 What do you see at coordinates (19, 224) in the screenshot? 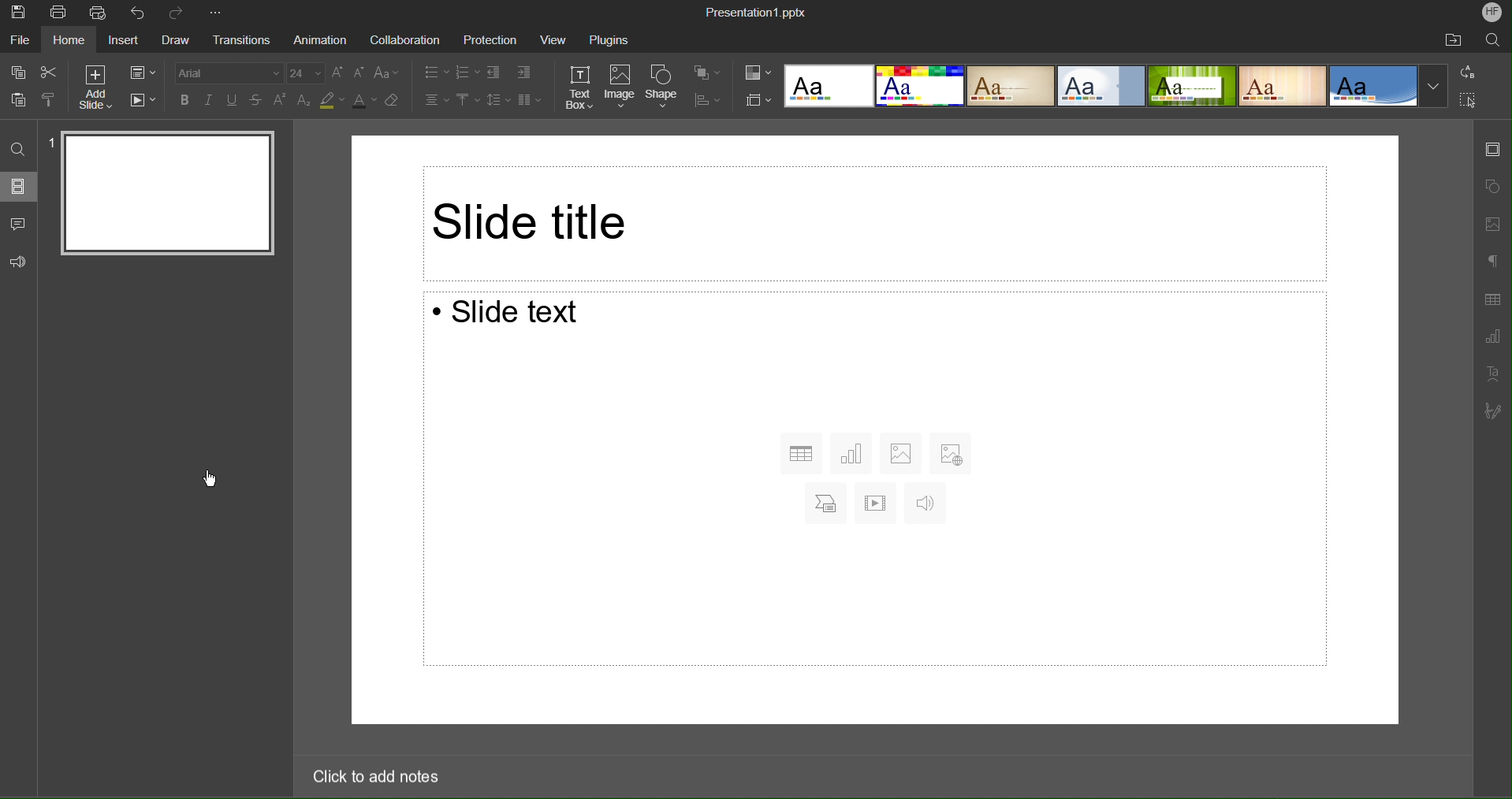
I see `Comments` at bounding box center [19, 224].